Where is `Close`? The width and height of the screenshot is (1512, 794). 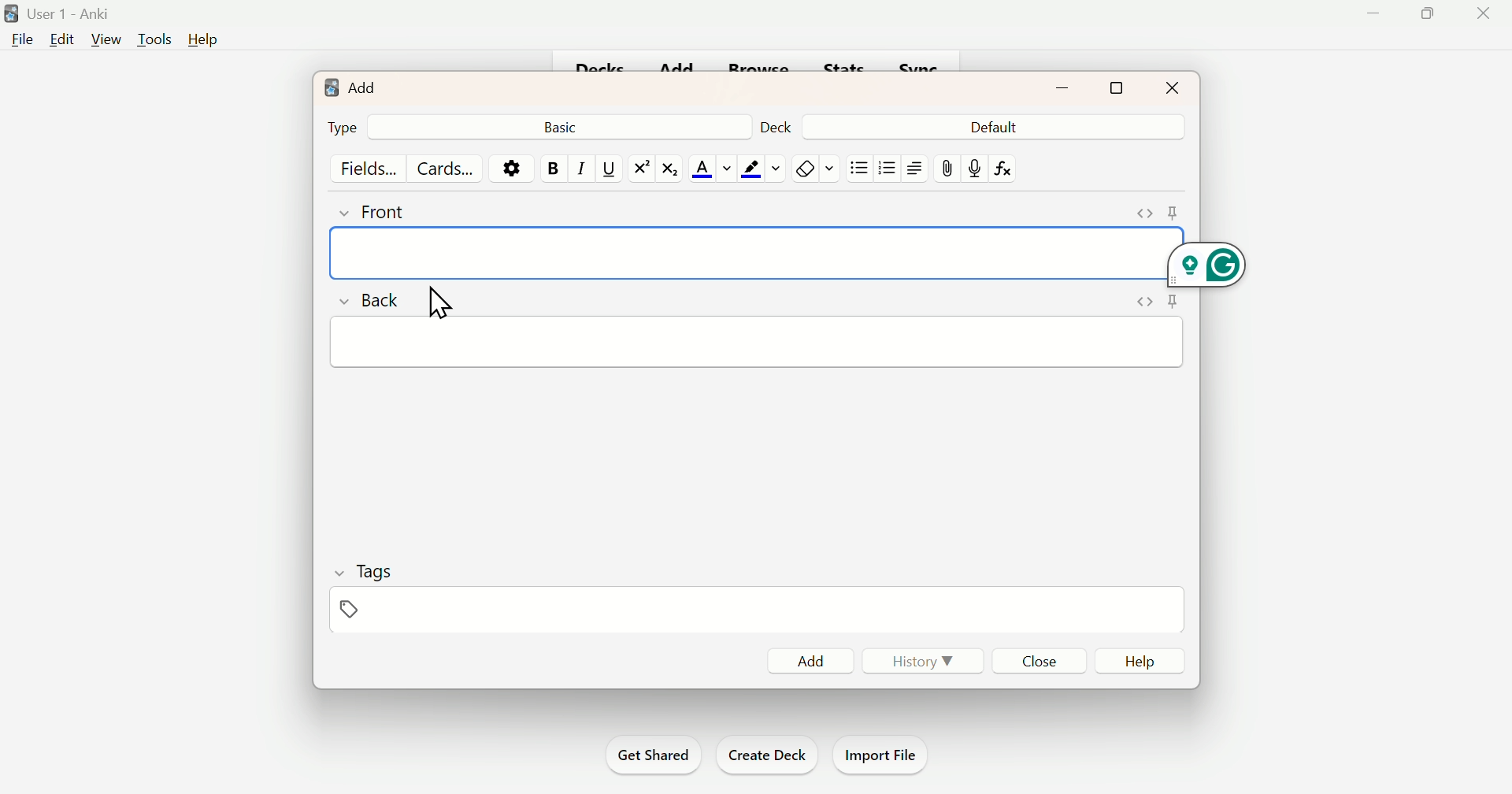
Close is located at coordinates (1173, 87).